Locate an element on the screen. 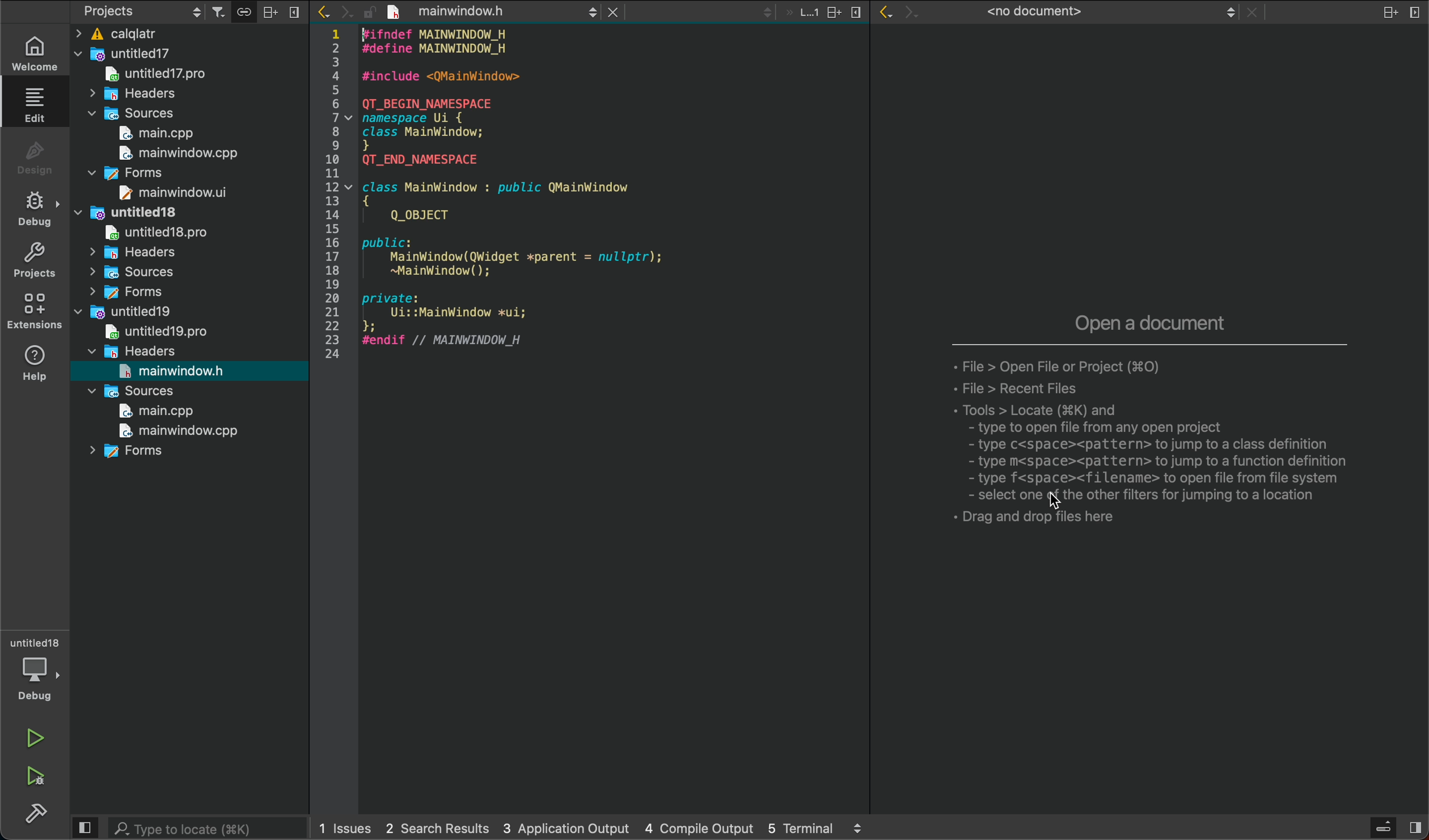  2 search result is located at coordinates (442, 829).